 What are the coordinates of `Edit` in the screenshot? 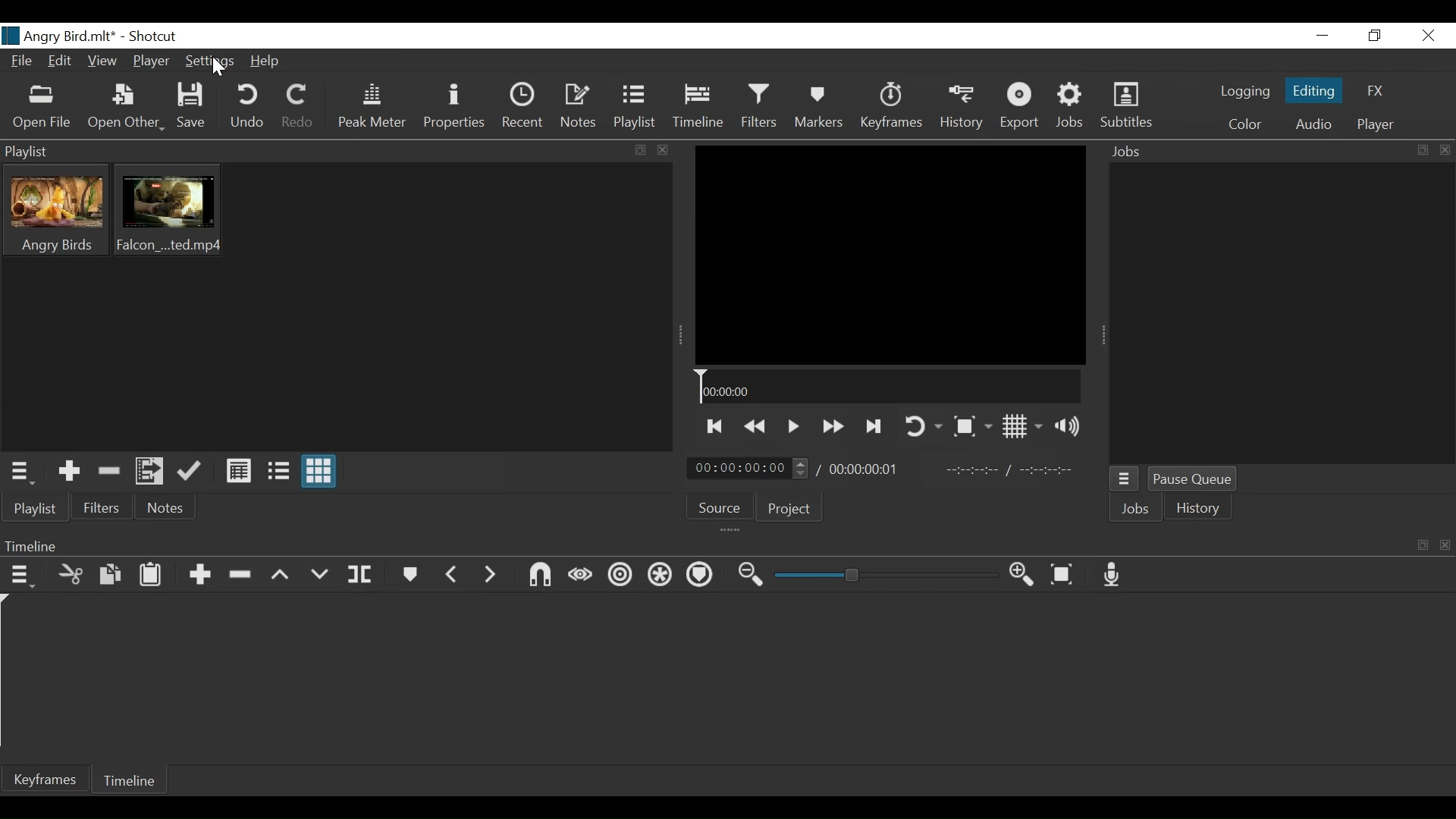 It's located at (61, 61).